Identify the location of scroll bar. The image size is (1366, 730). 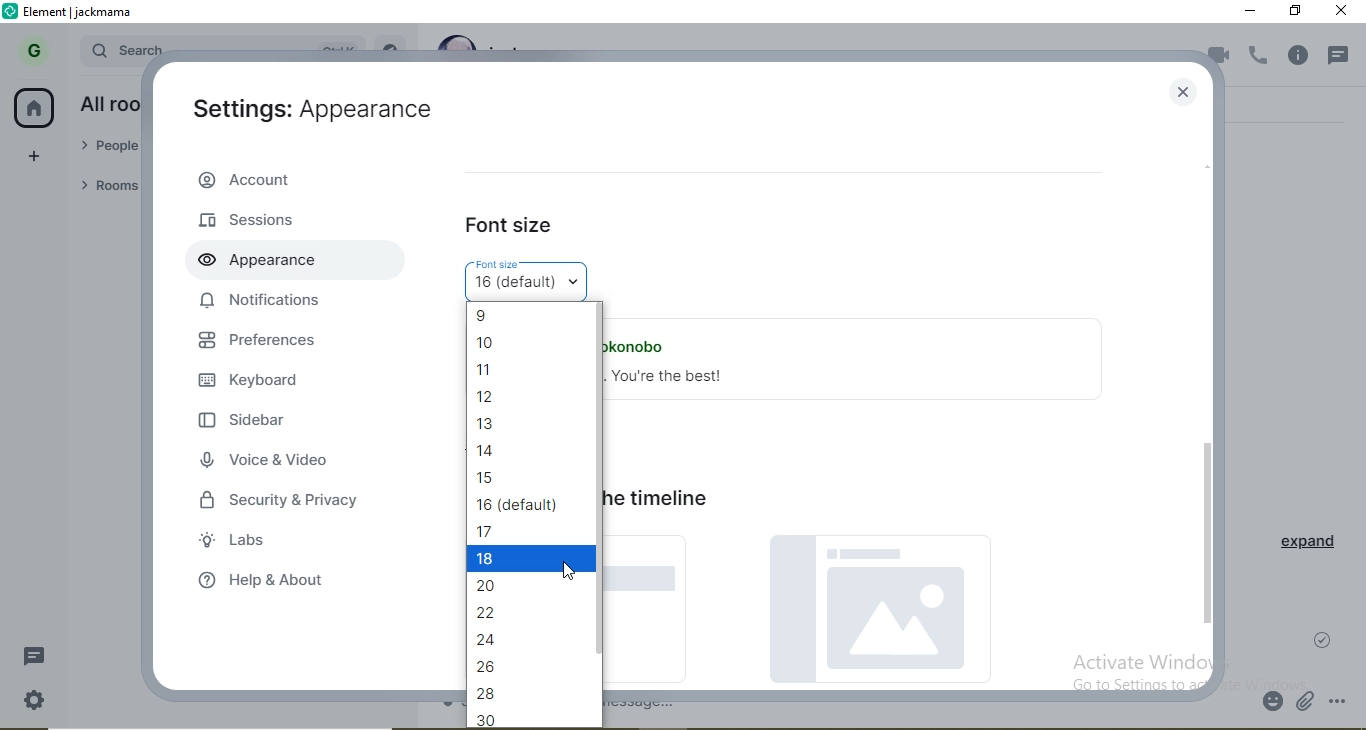
(1208, 395).